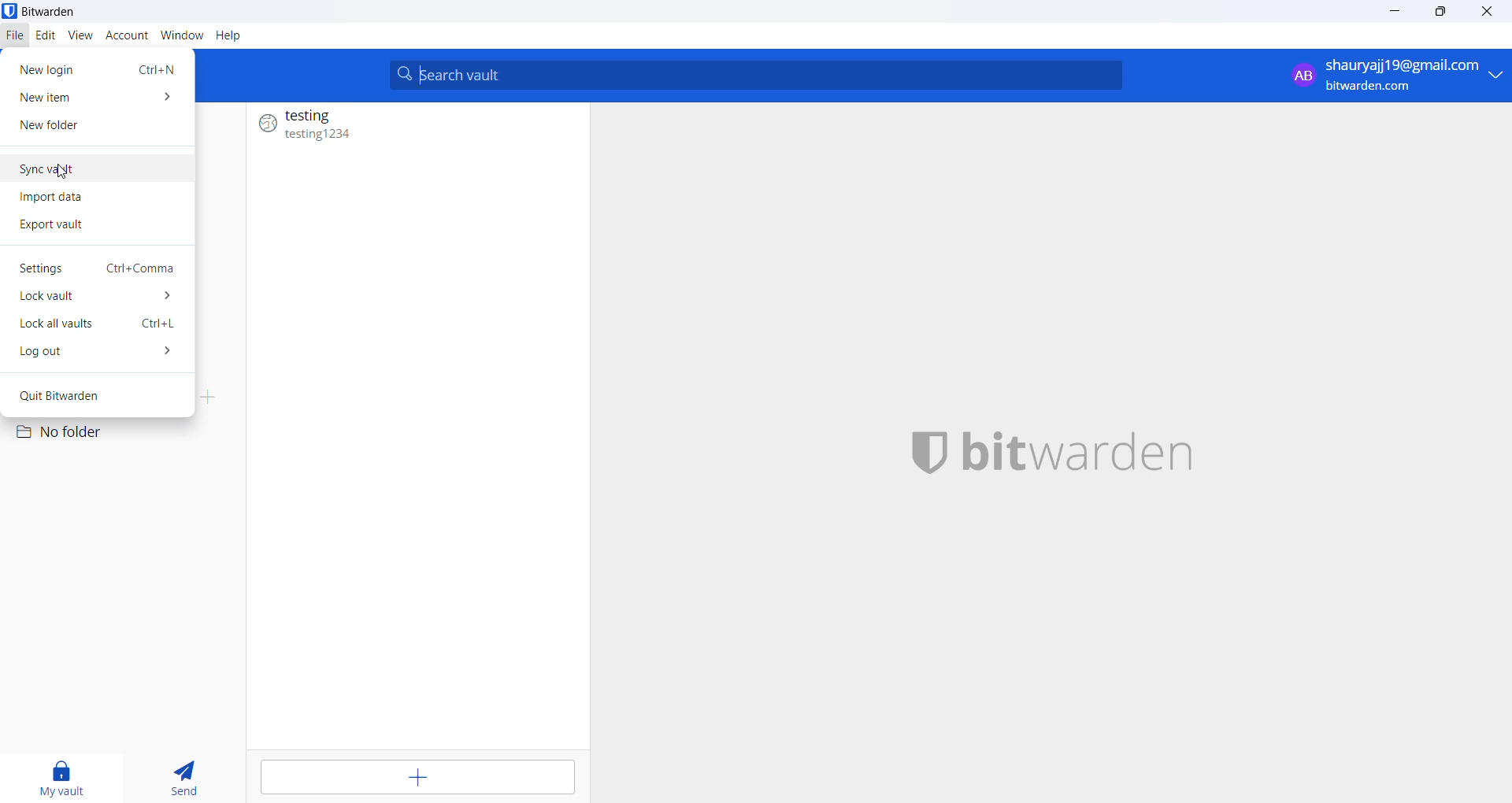  What do you see at coordinates (1392, 14) in the screenshot?
I see `minimize` at bounding box center [1392, 14].